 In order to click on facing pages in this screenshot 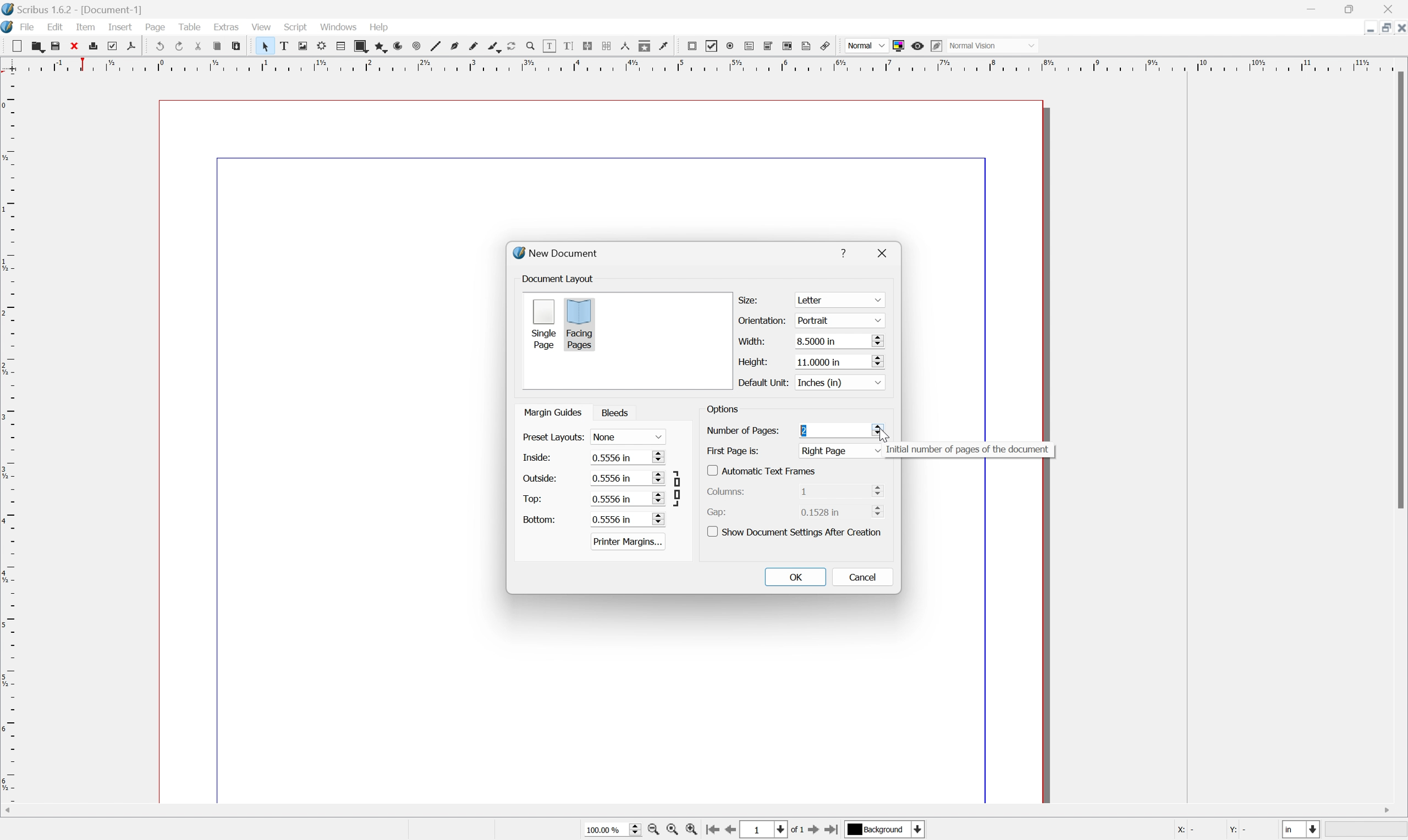, I will do `click(580, 324)`.